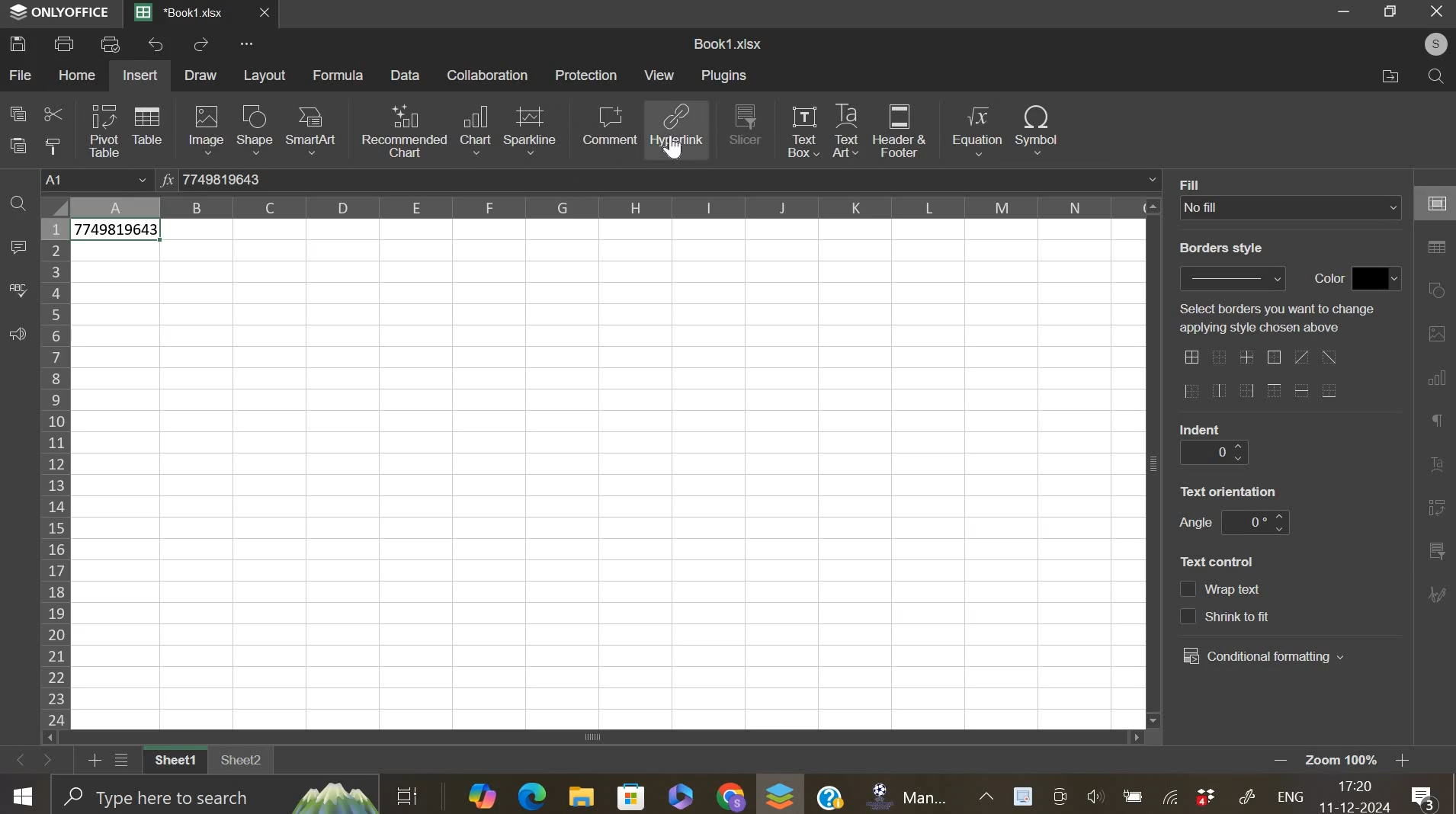  What do you see at coordinates (146, 124) in the screenshot?
I see `table` at bounding box center [146, 124].